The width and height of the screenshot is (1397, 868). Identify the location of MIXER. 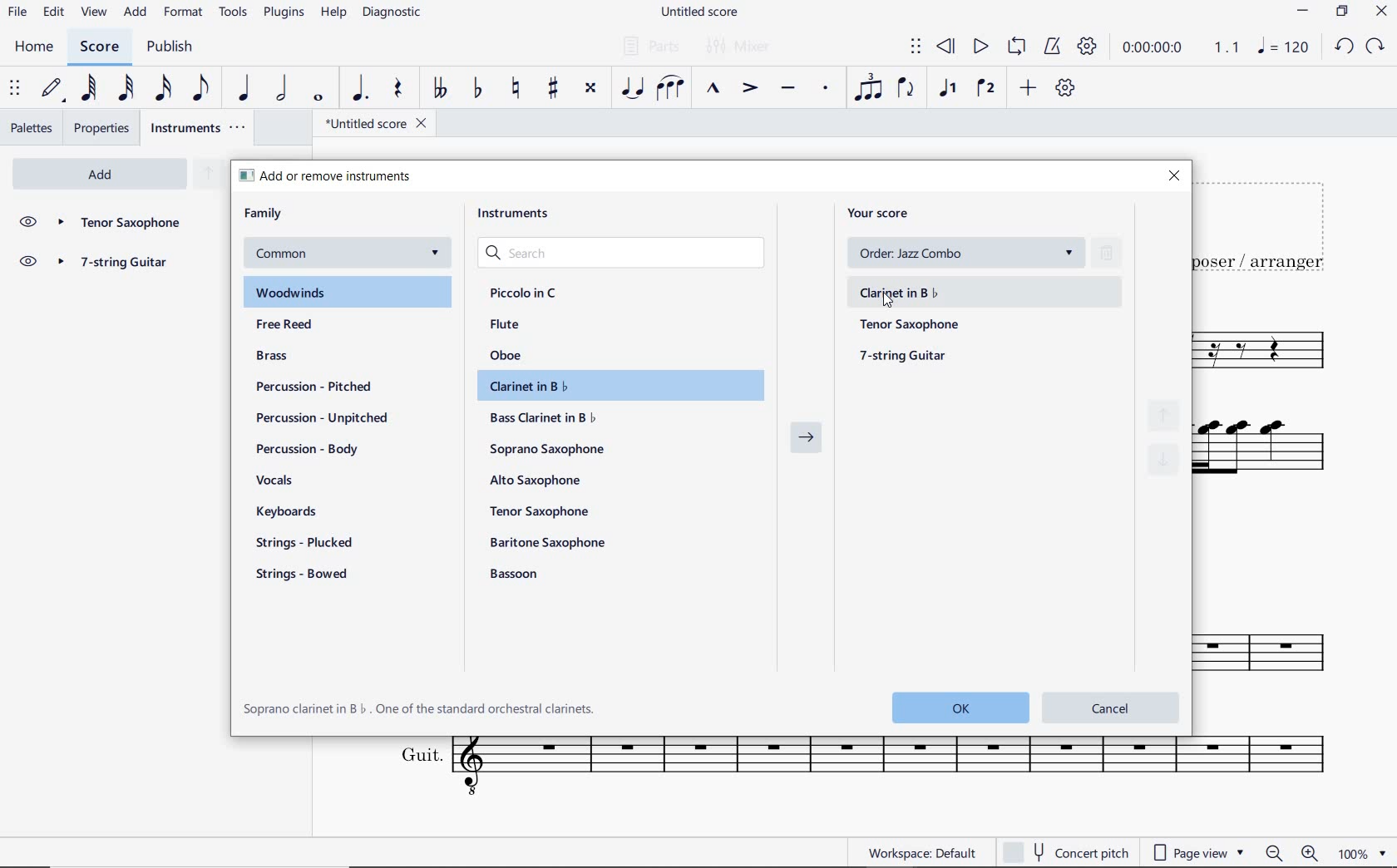
(740, 47).